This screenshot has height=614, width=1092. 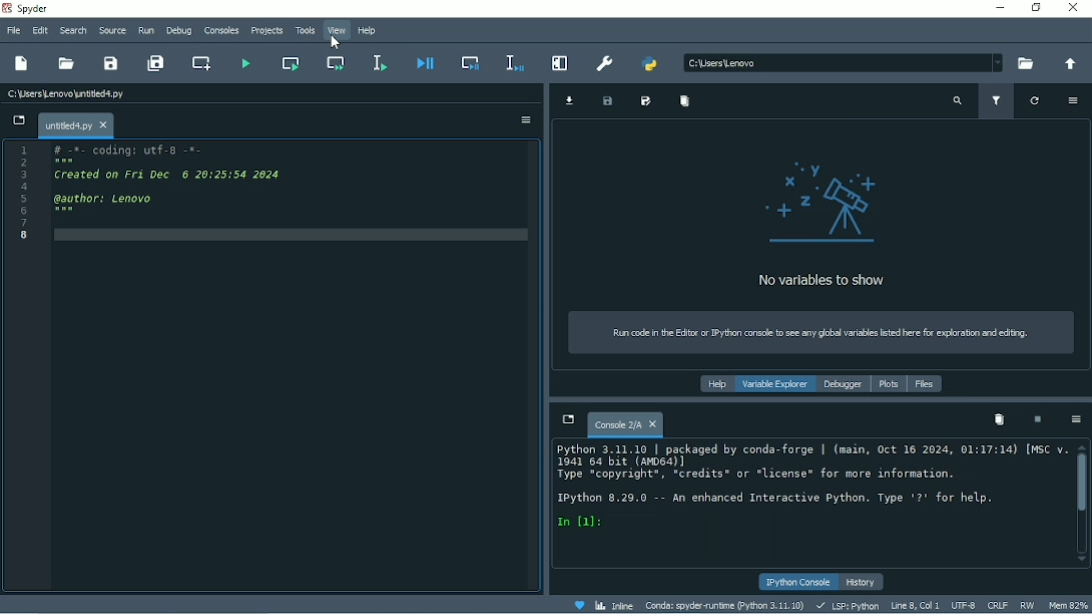 I want to click on Remove all variables, so click(x=685, y=101).